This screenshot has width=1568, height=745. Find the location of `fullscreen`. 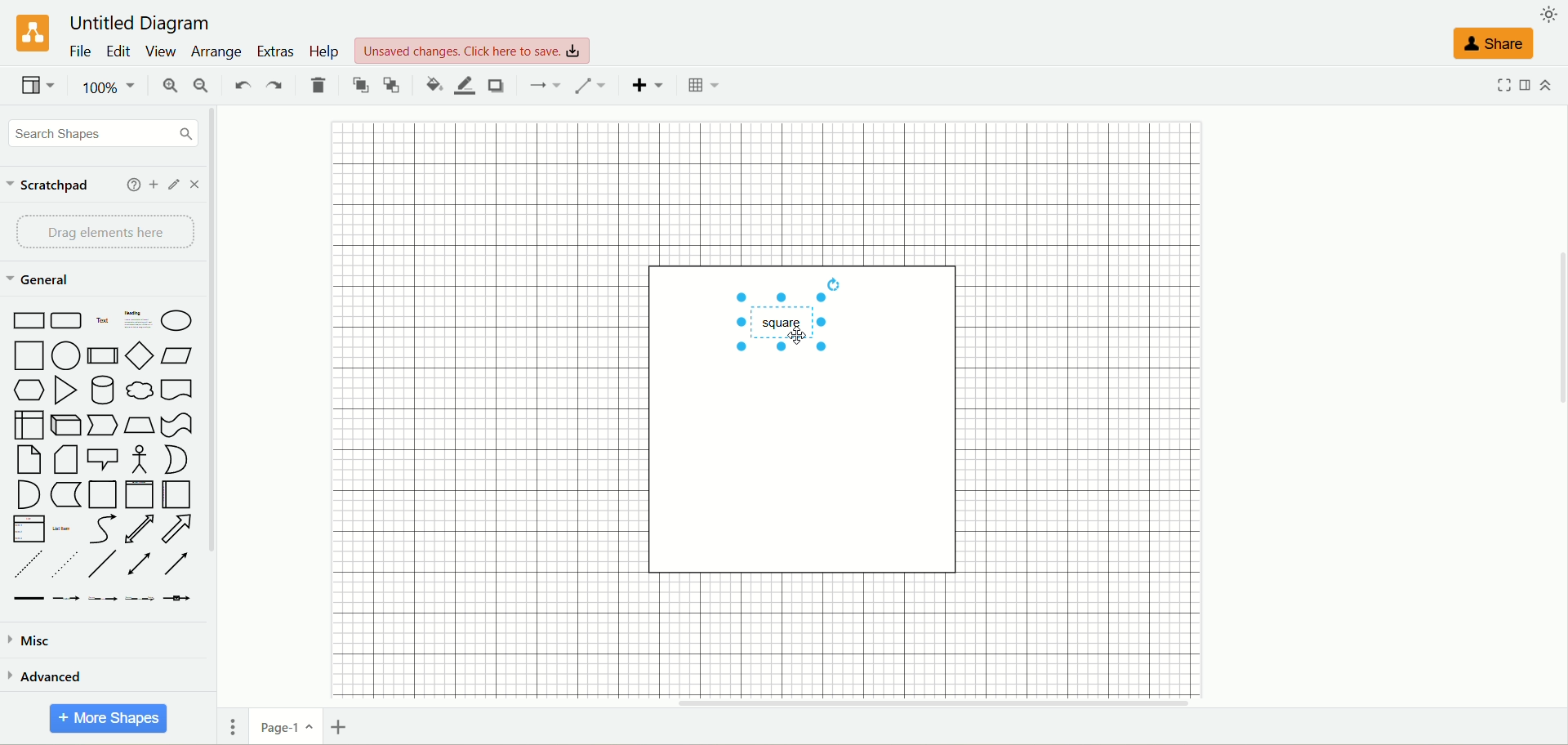

fullscreen is located at coordinates (1502, 85).